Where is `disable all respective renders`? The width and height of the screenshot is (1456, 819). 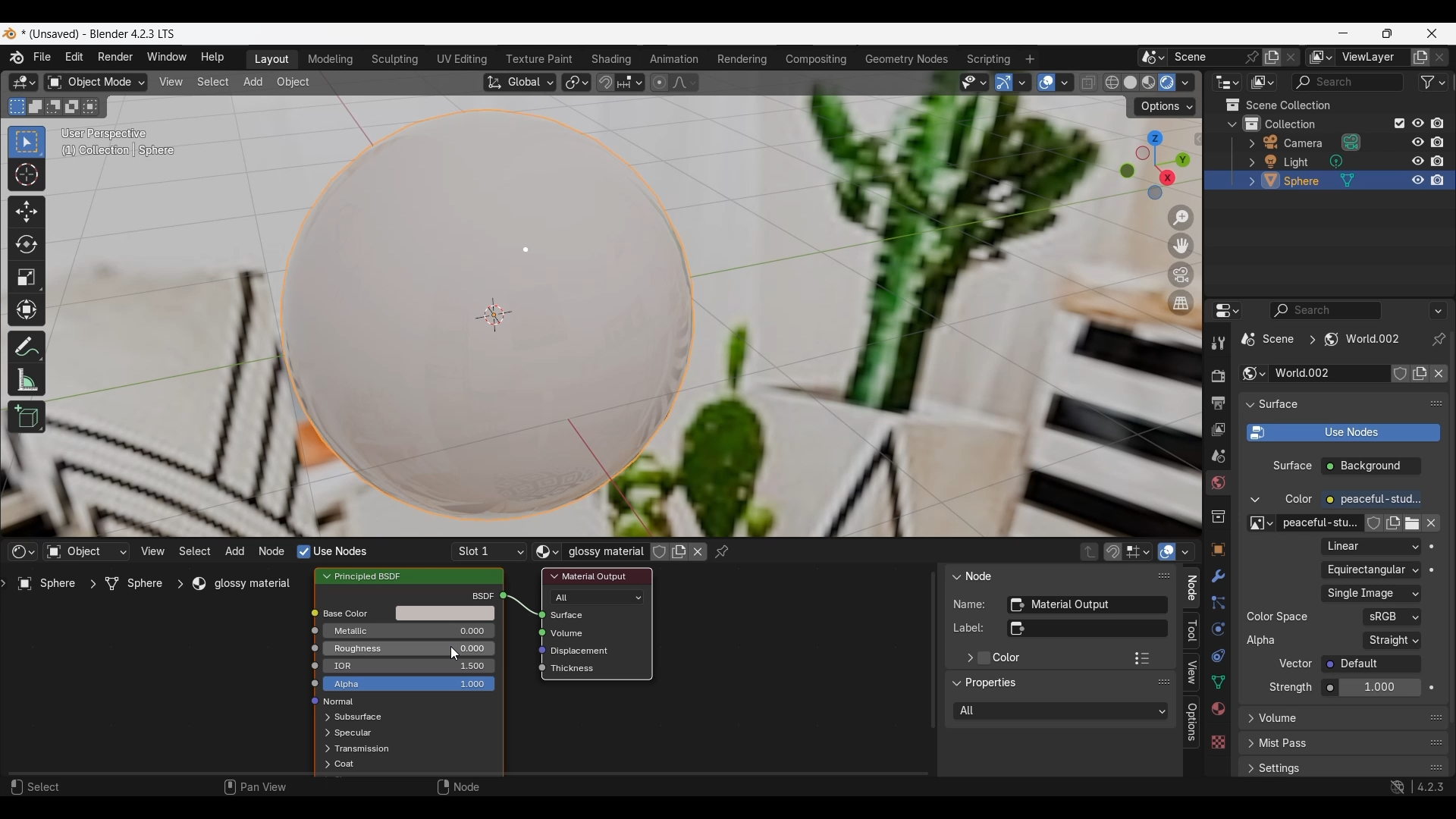
disable all respective renders is located at coordinates (1442, 143).